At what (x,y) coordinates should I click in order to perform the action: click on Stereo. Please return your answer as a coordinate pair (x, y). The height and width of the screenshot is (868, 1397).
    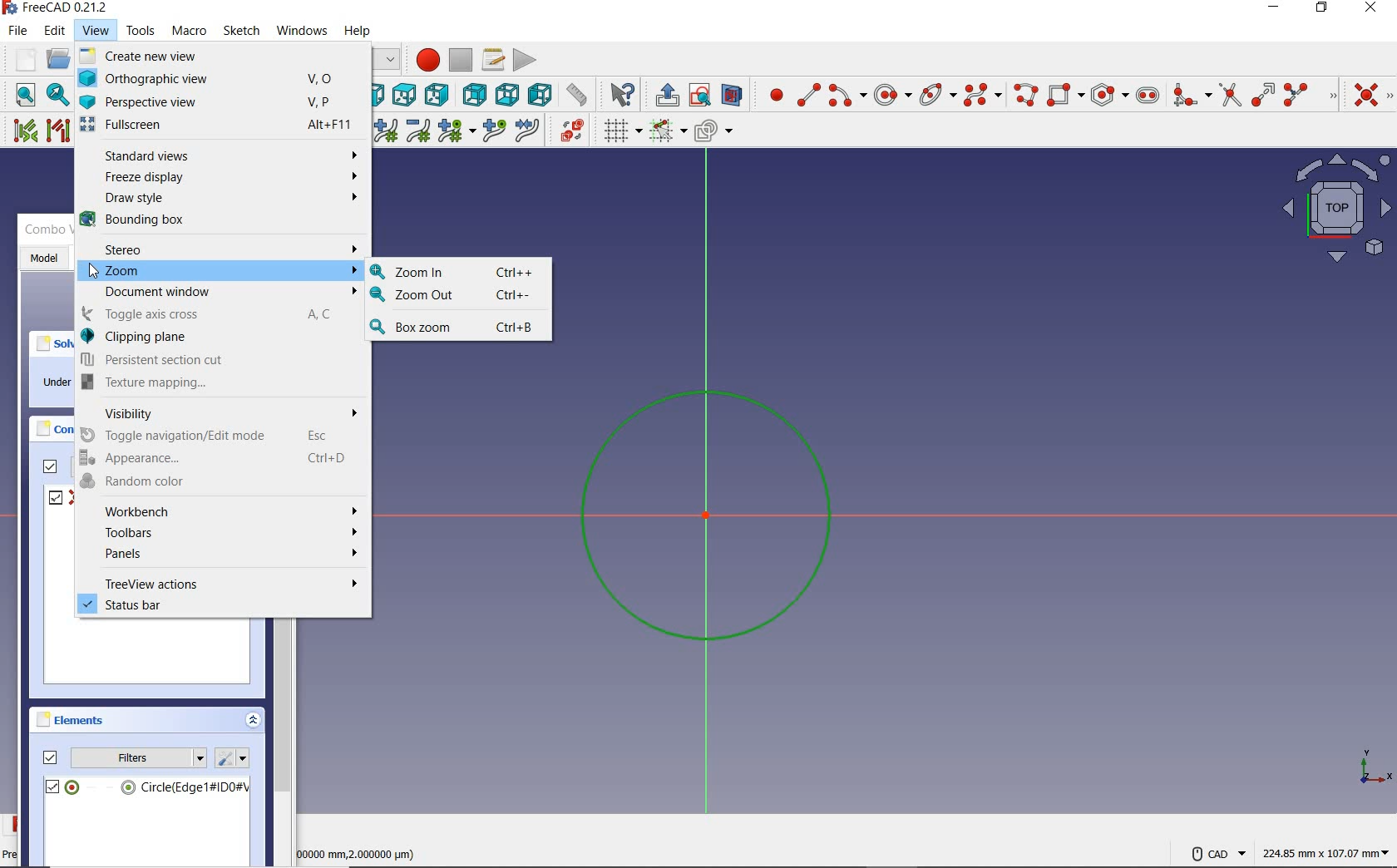
    Looking at the image, I should click on (234, 249).